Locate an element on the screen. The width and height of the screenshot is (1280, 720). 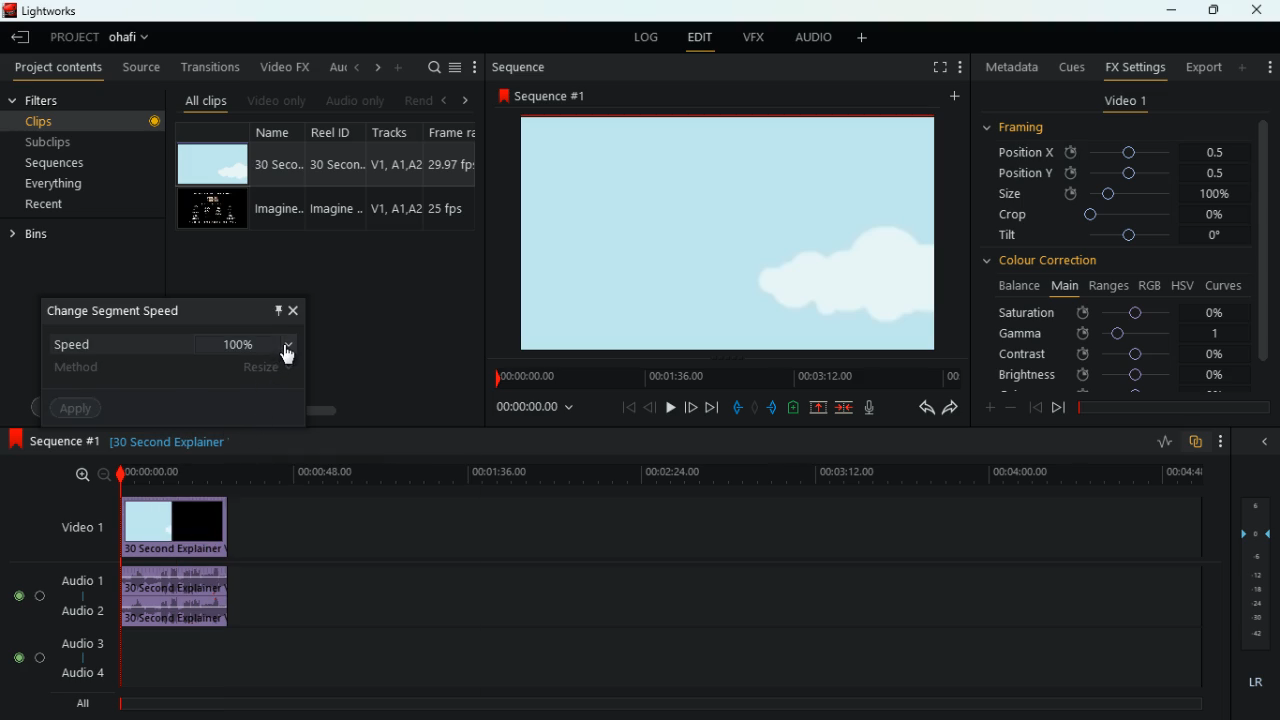
end is located at coordinates (714, 407).